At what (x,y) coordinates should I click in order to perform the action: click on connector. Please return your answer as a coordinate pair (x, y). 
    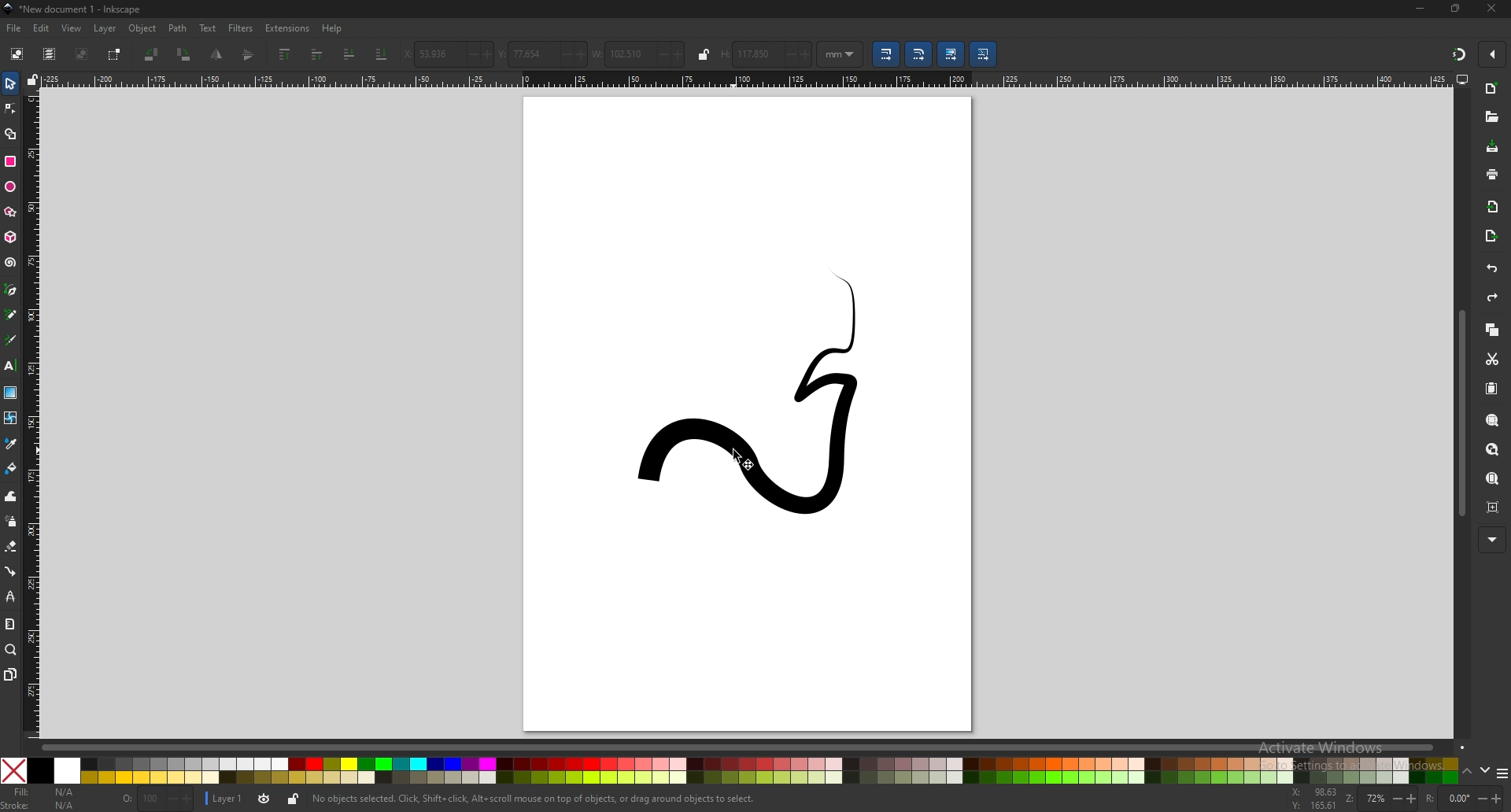
    Looking at the image, I should click on (11, 571).